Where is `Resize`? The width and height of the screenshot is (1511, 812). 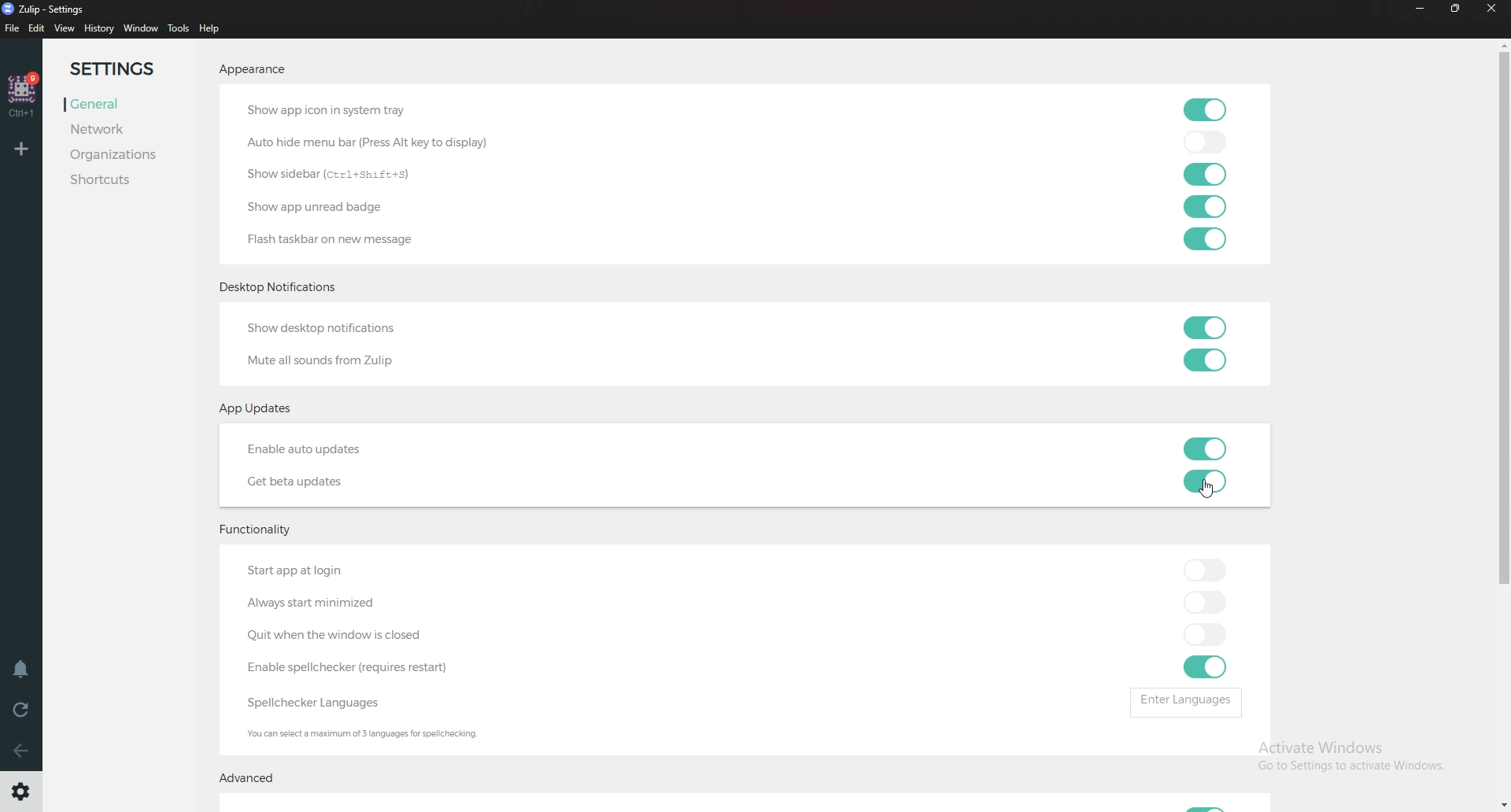 Resize is located at coordinates (1457, 9).